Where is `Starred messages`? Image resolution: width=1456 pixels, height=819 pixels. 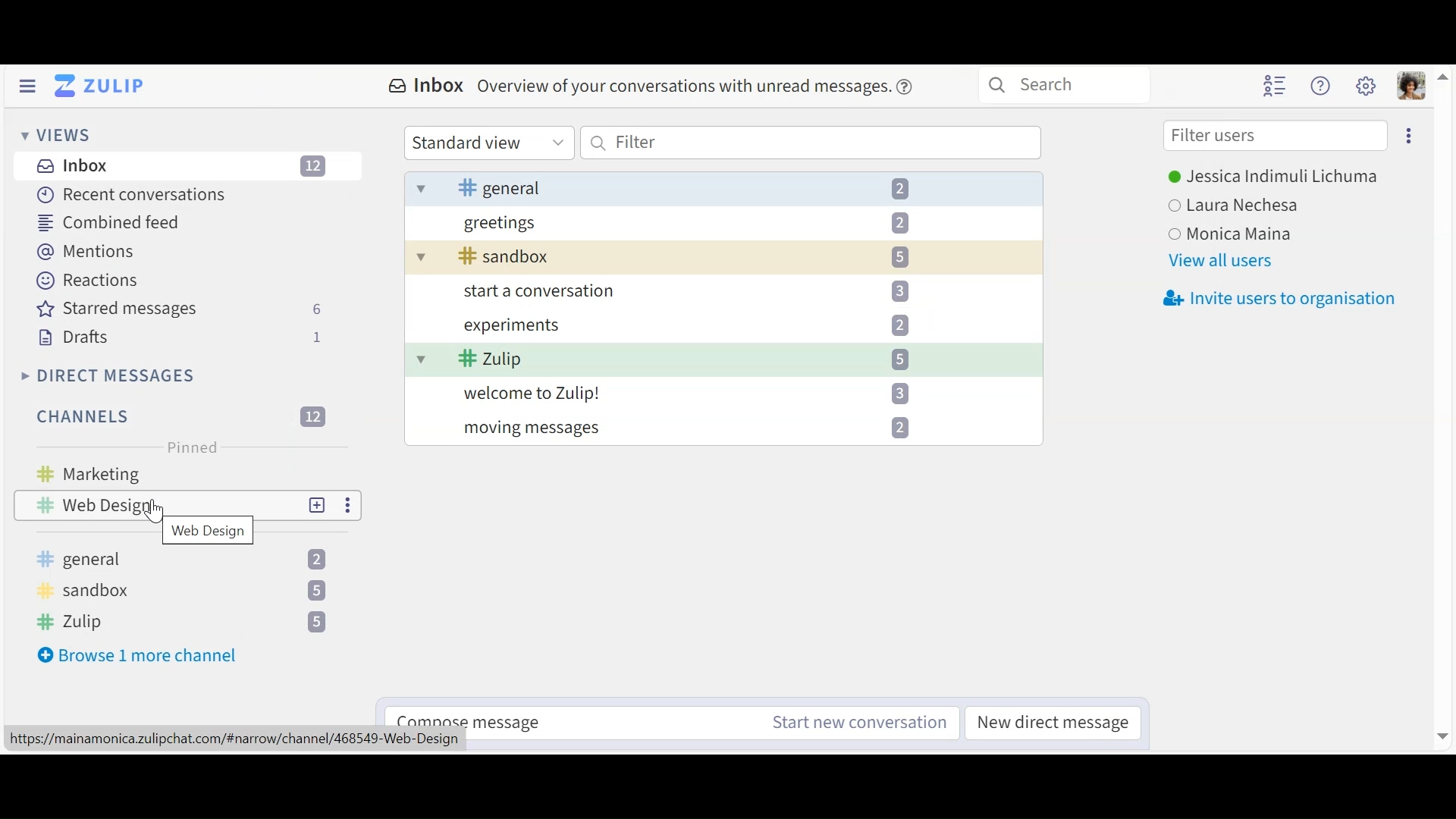 Starred messages is located at coordinates (178, 309).